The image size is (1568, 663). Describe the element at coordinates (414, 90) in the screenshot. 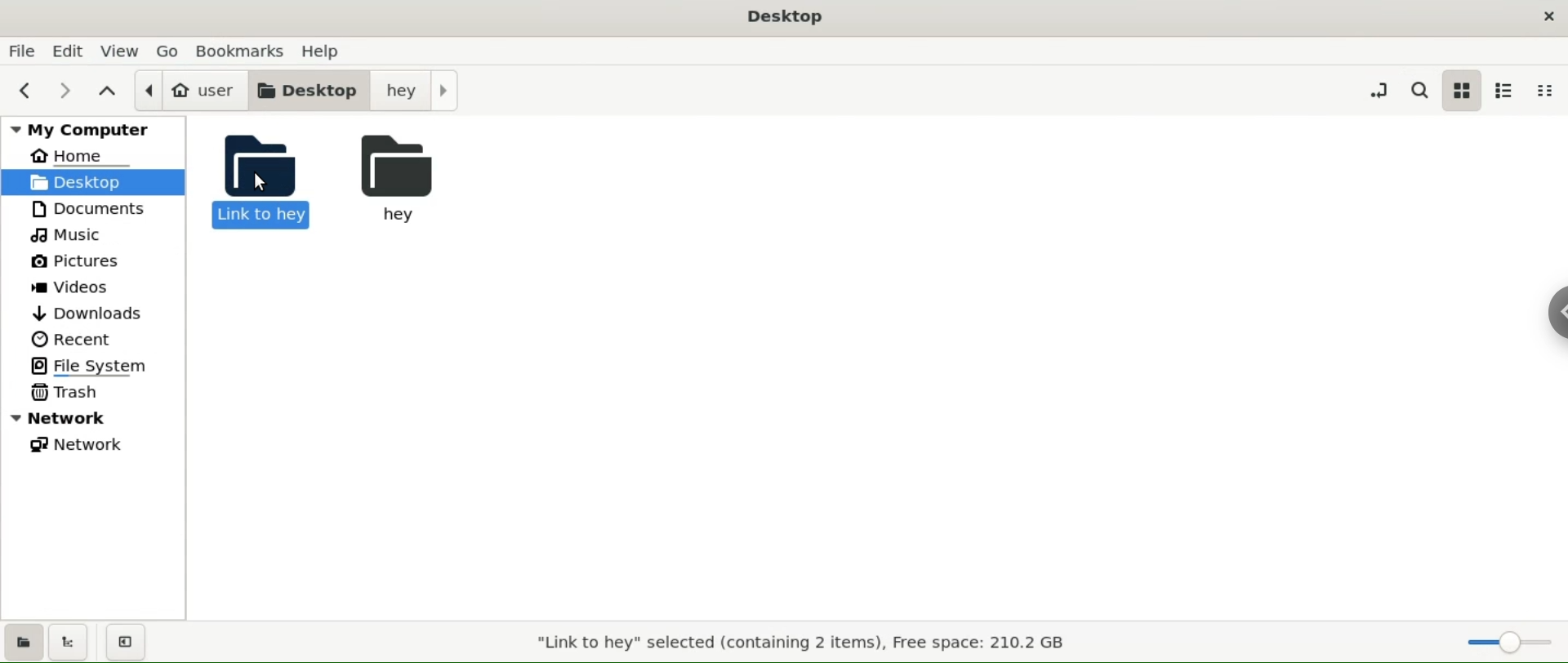

I see `hey` at that location.